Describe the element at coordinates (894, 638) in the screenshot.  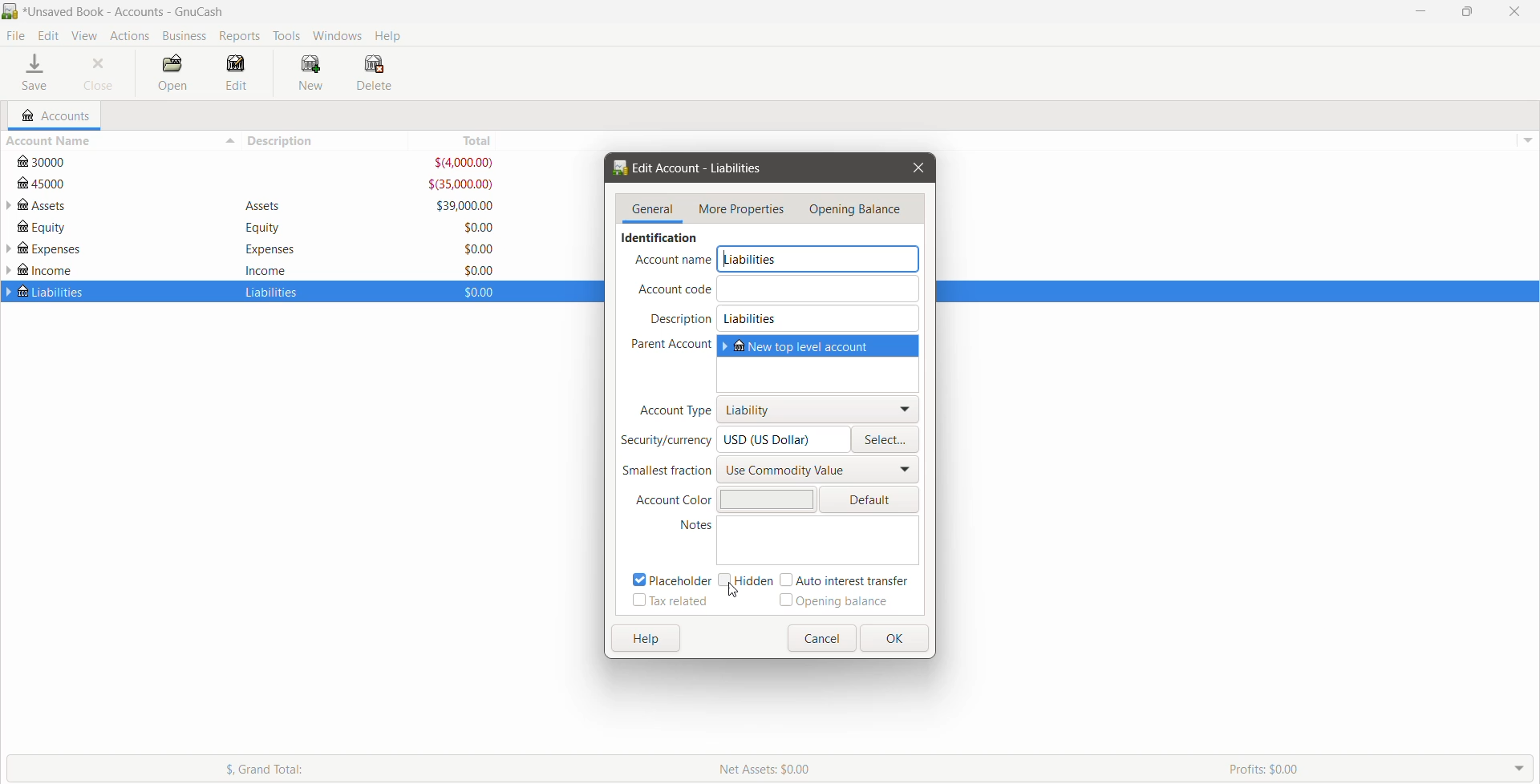
I see `OK` at that location.